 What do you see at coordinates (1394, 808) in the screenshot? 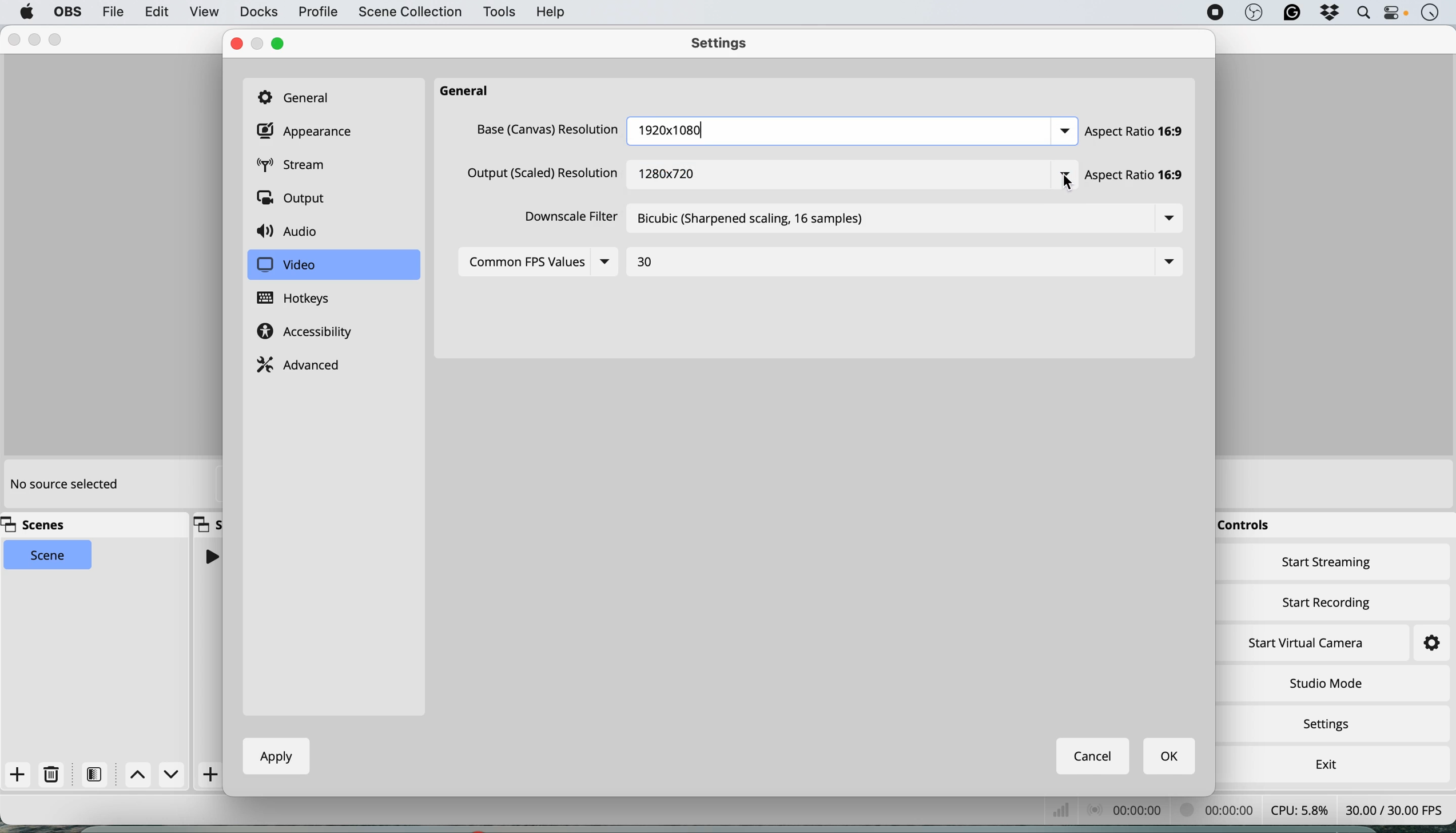
I see `frames per second` at bounding box center [1394, 808].